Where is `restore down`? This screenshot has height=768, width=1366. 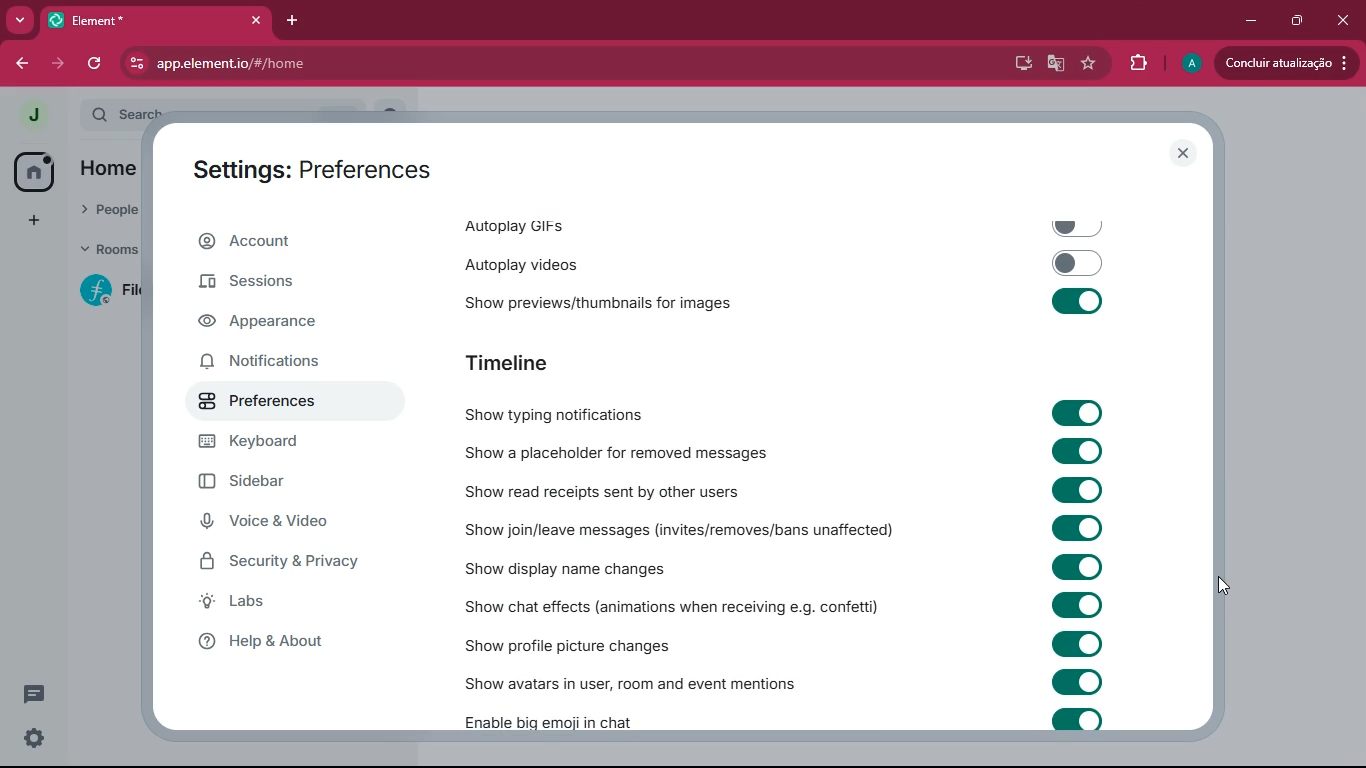
restore down is located at coordinates (1296, 22).